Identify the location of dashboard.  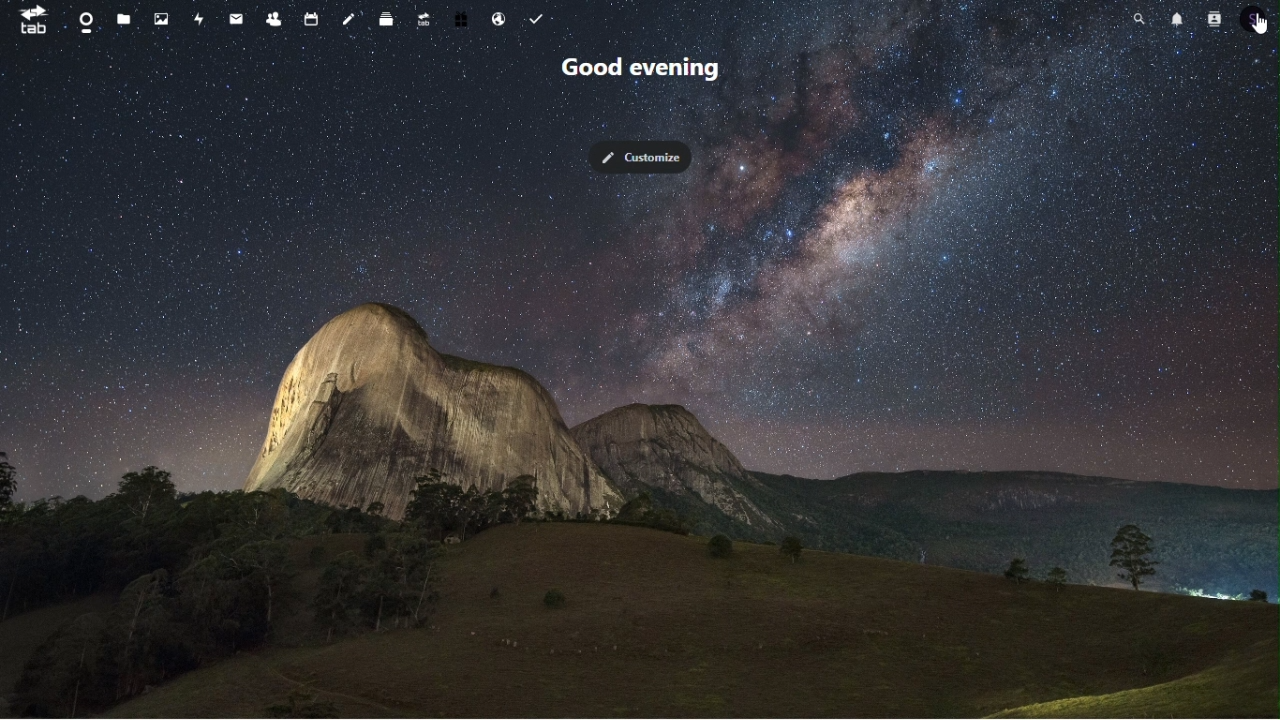
(85, 22).